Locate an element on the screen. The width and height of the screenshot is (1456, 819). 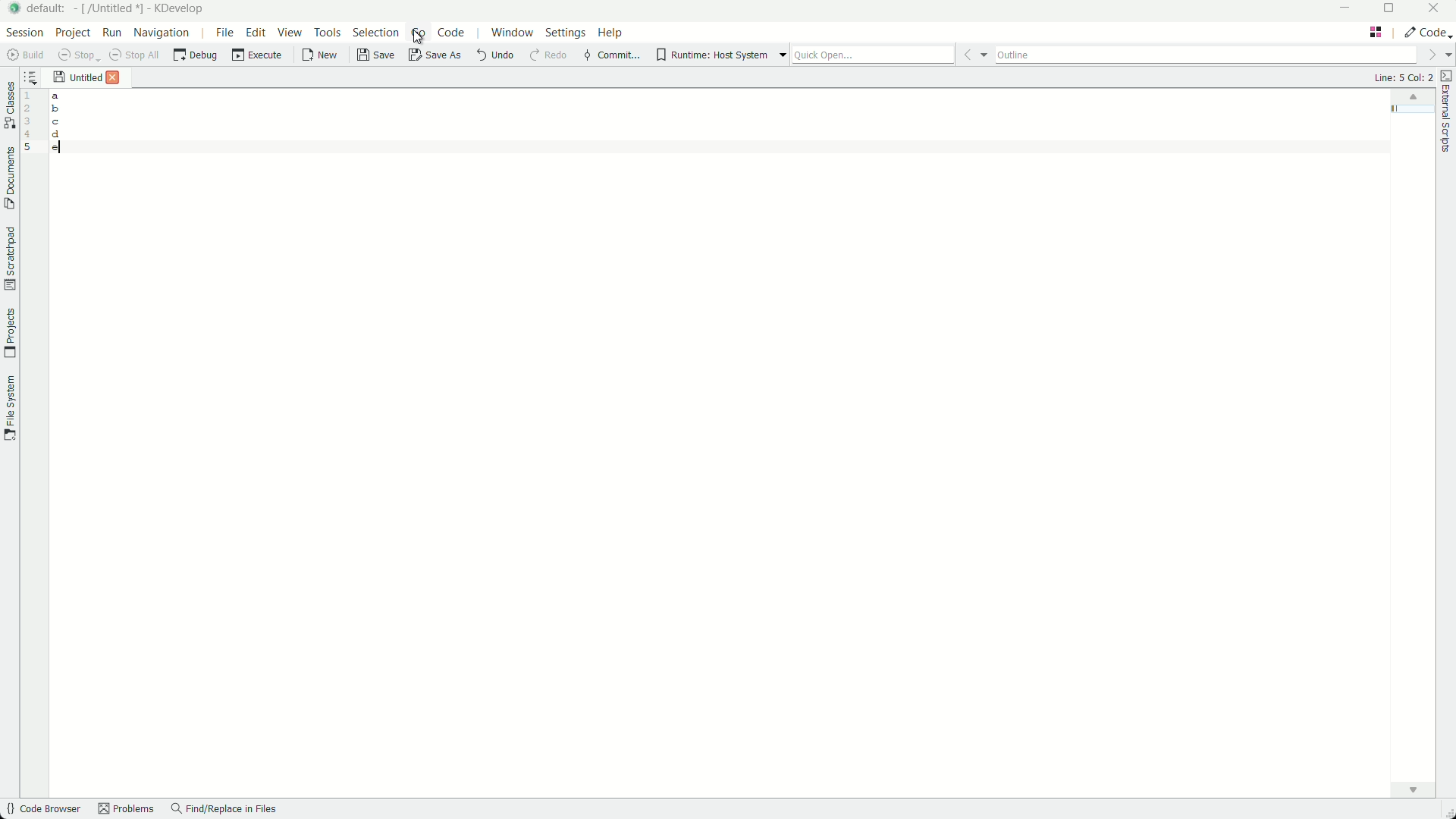
code is located at coordinates (454, 35).